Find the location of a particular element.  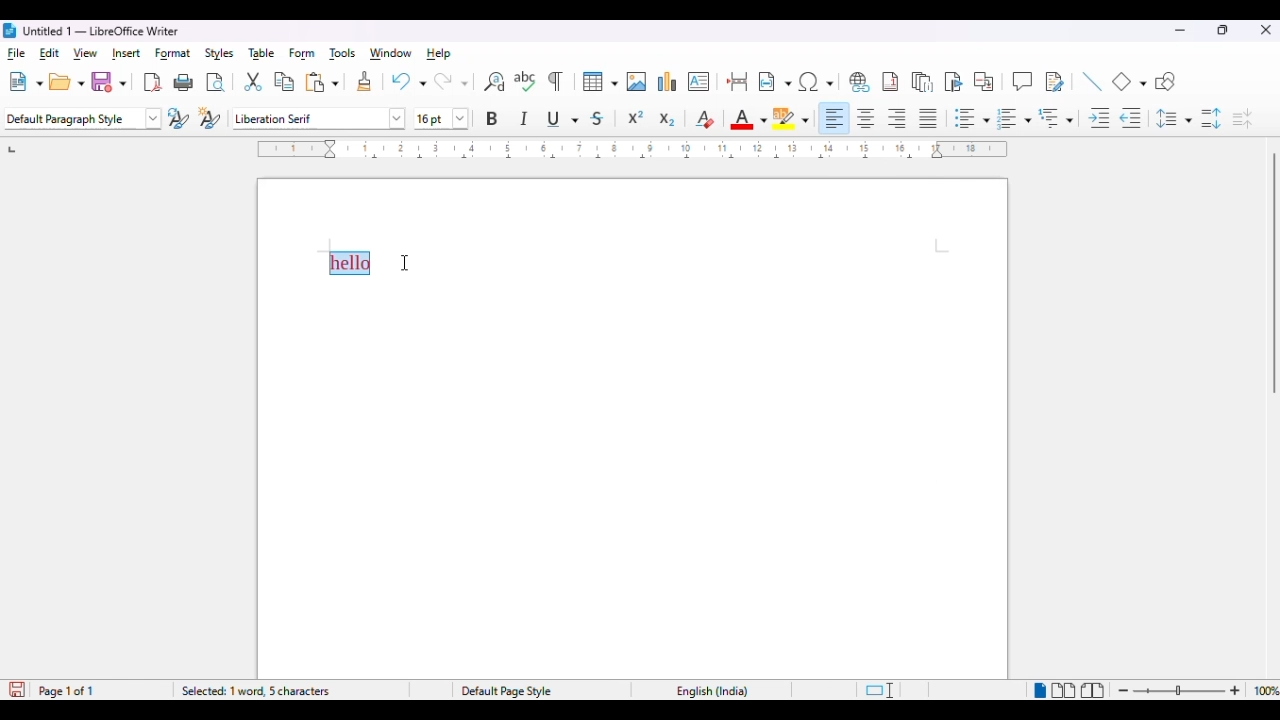

set paragraph style is located at coordinates (83, 119).